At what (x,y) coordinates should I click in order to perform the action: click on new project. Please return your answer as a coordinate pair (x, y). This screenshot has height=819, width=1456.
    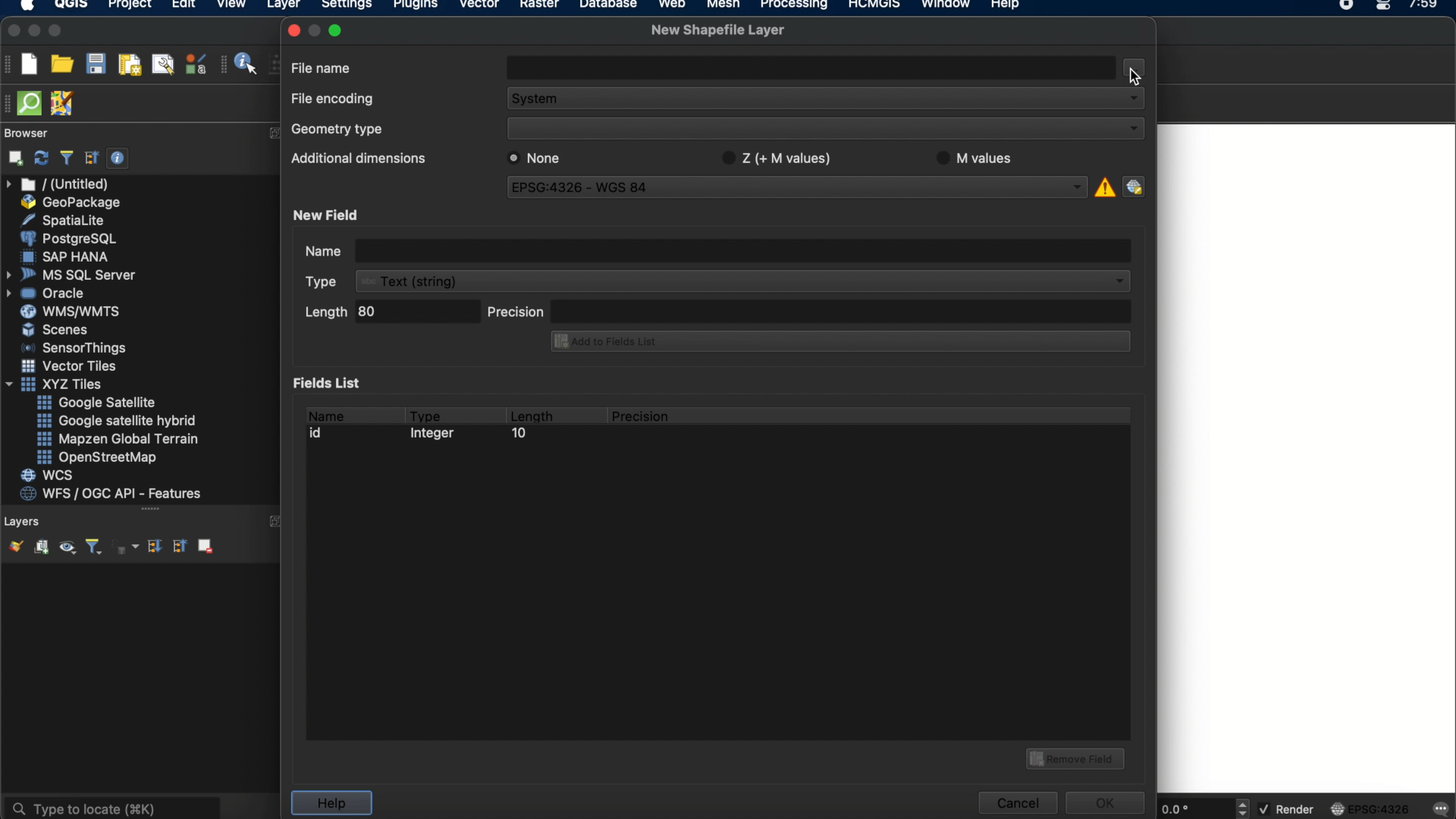
    Looking at the image, I should click on (29, 64).